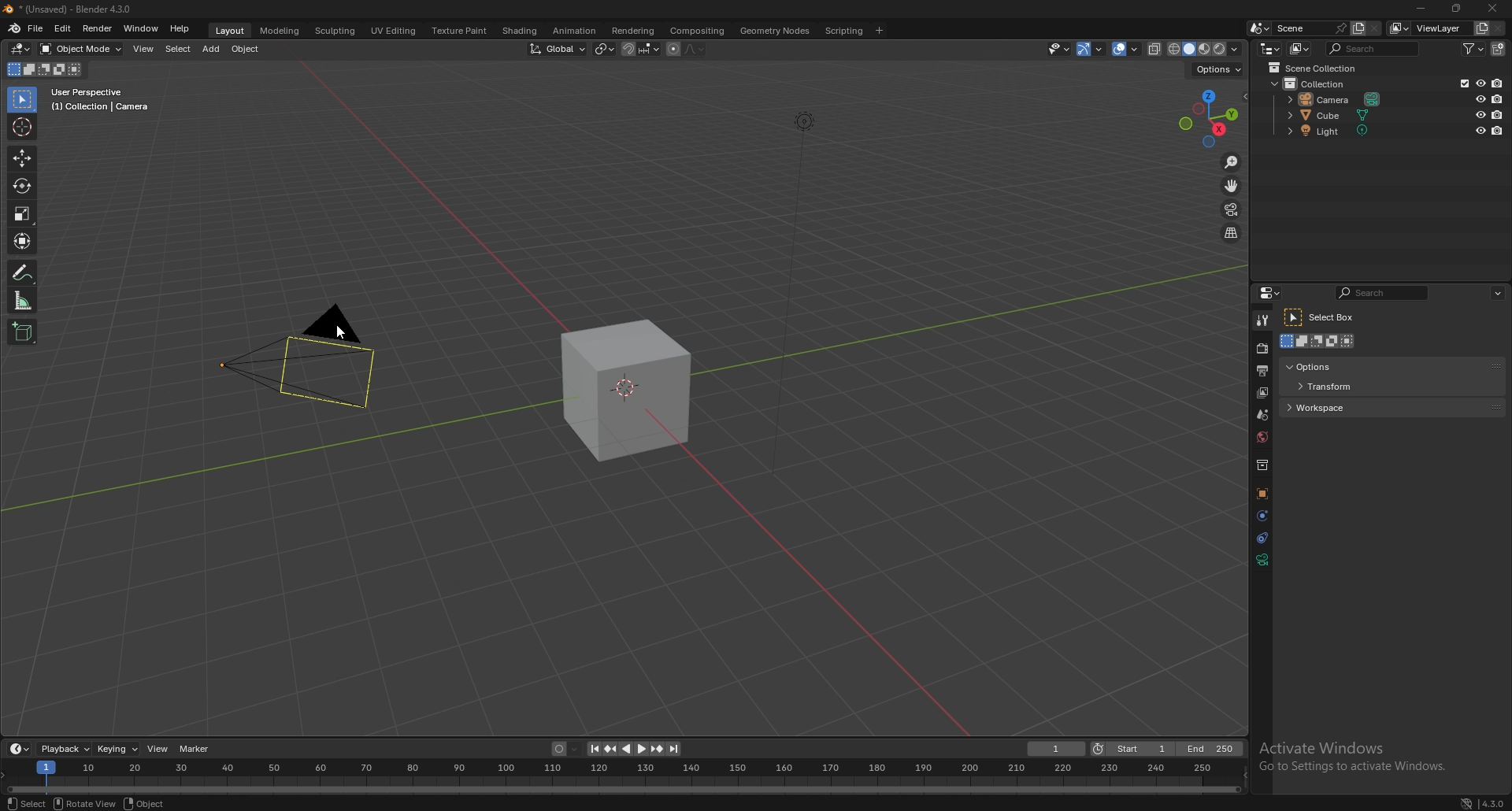 The height and width of the screenshot is (811, 1512). What do you see at coordinates (1308, 28) in the screenshot?
I see `scene` at bounding box center [1308, 28].